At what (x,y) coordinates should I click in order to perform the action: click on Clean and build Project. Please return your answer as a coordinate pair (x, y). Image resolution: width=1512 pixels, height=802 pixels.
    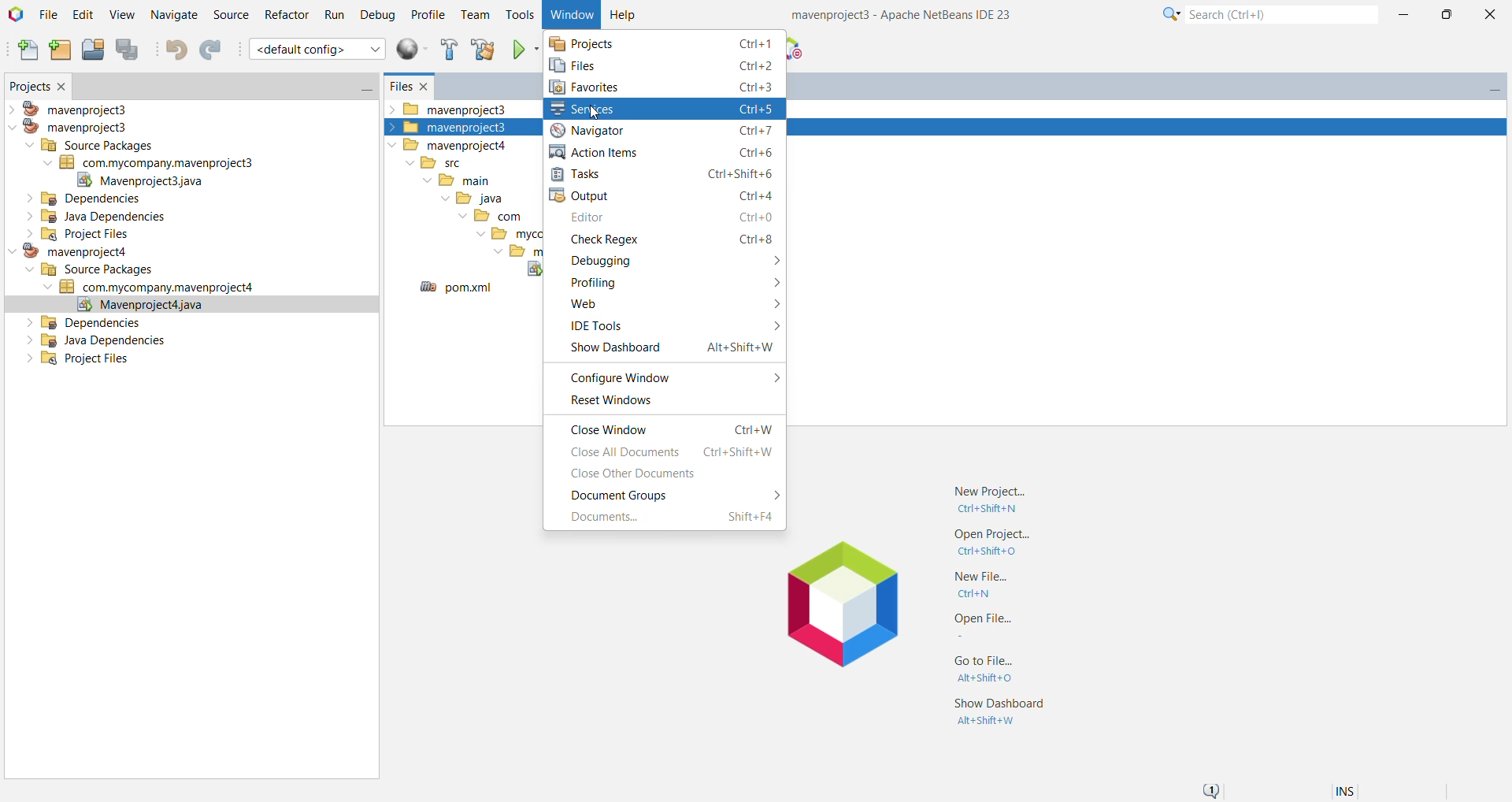
    Looking at the image, I should click on (482, 50).